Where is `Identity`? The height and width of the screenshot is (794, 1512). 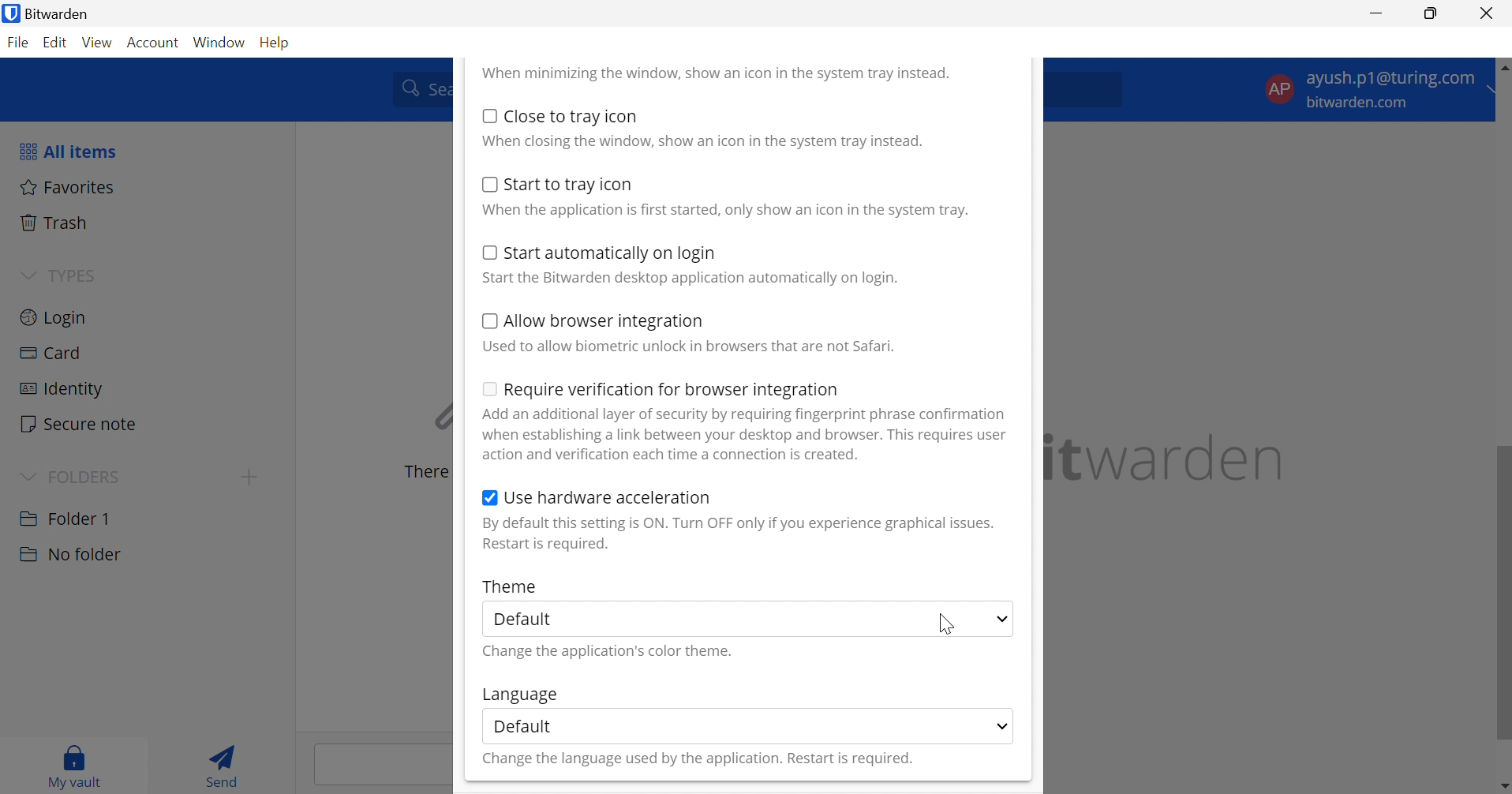 Identity is located at coordinates (60, 389).